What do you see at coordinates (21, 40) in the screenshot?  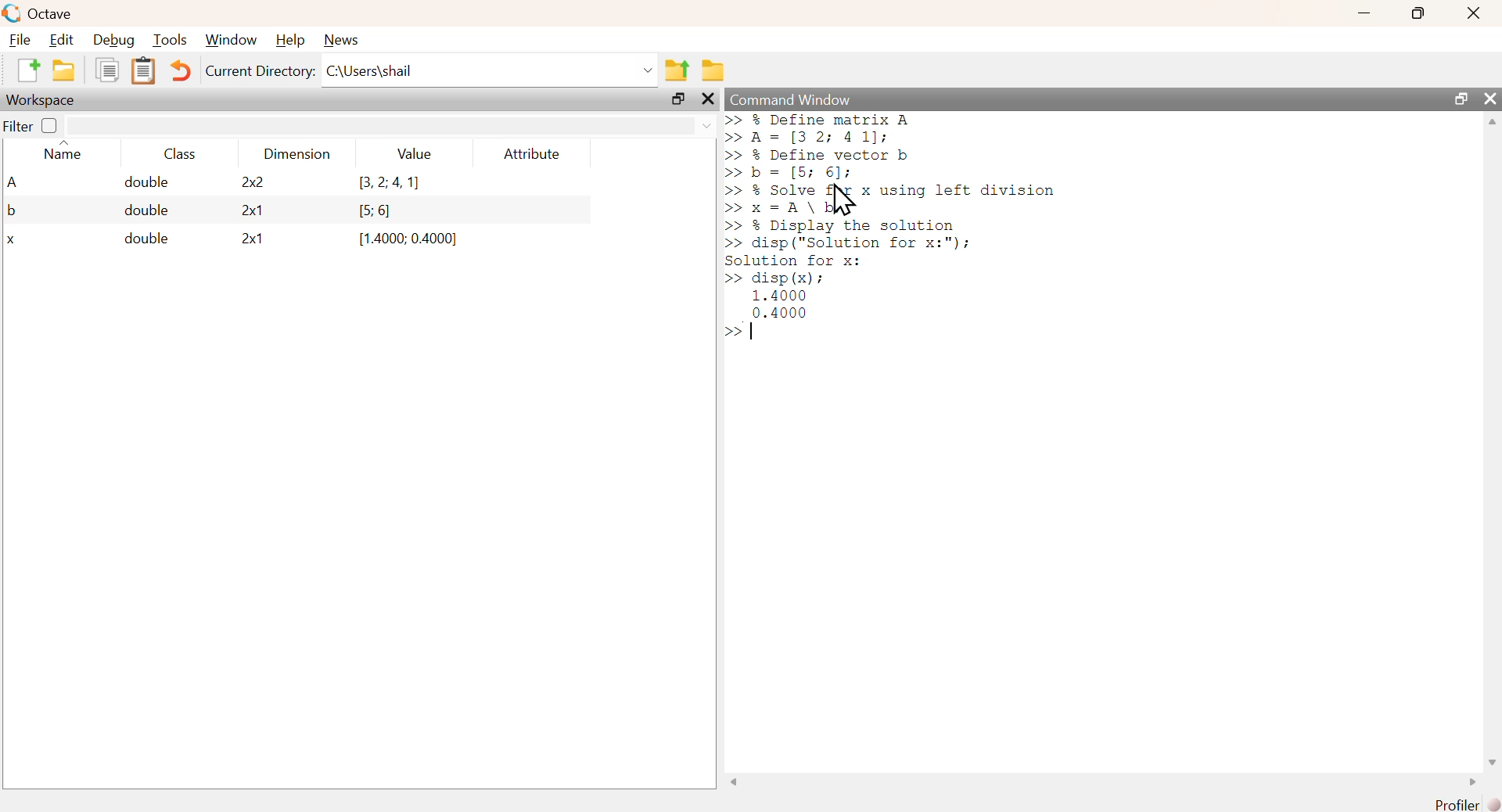 I see `file` at bounding box center [21, 40].